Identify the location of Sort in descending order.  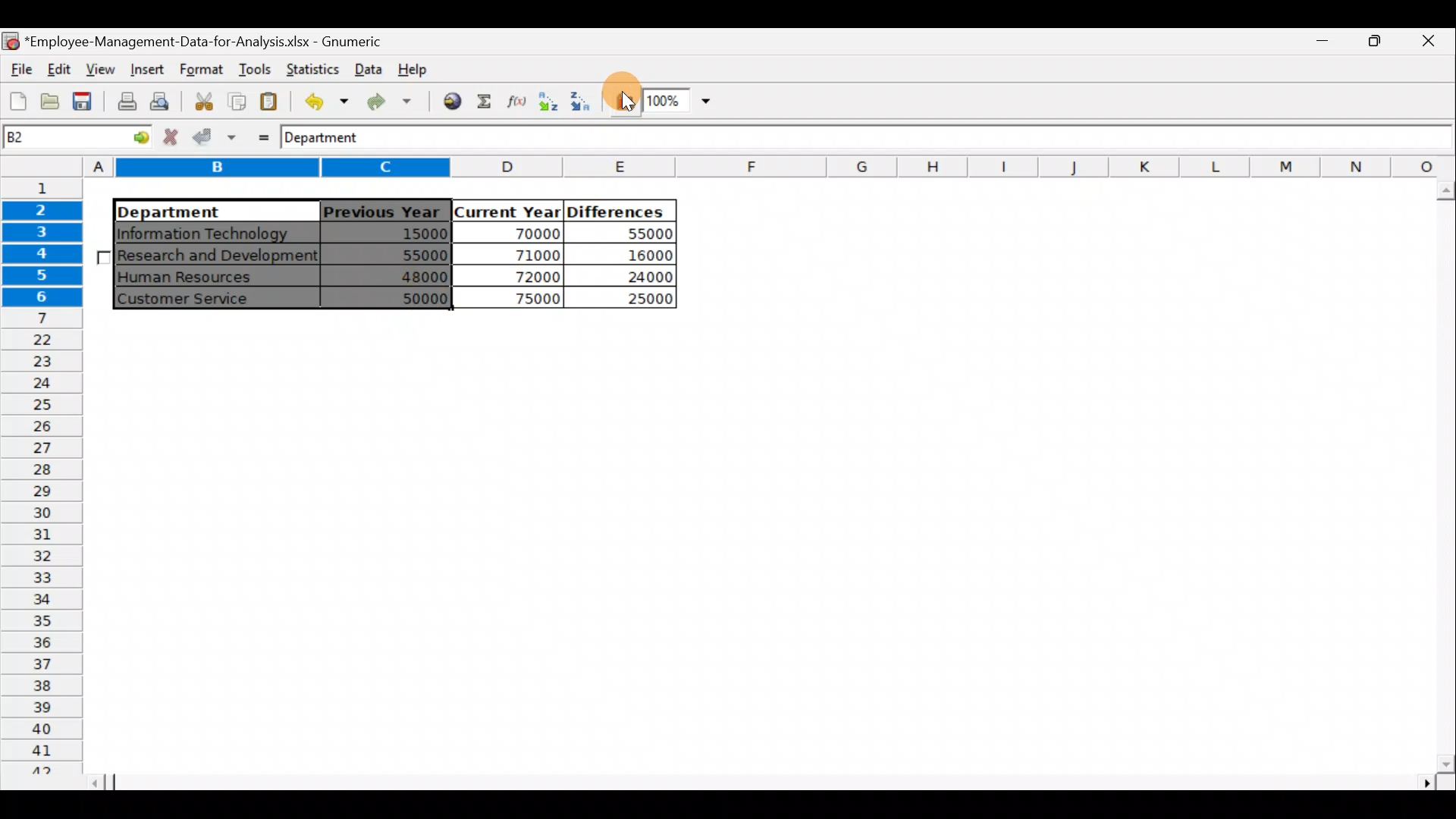
(582, 102).